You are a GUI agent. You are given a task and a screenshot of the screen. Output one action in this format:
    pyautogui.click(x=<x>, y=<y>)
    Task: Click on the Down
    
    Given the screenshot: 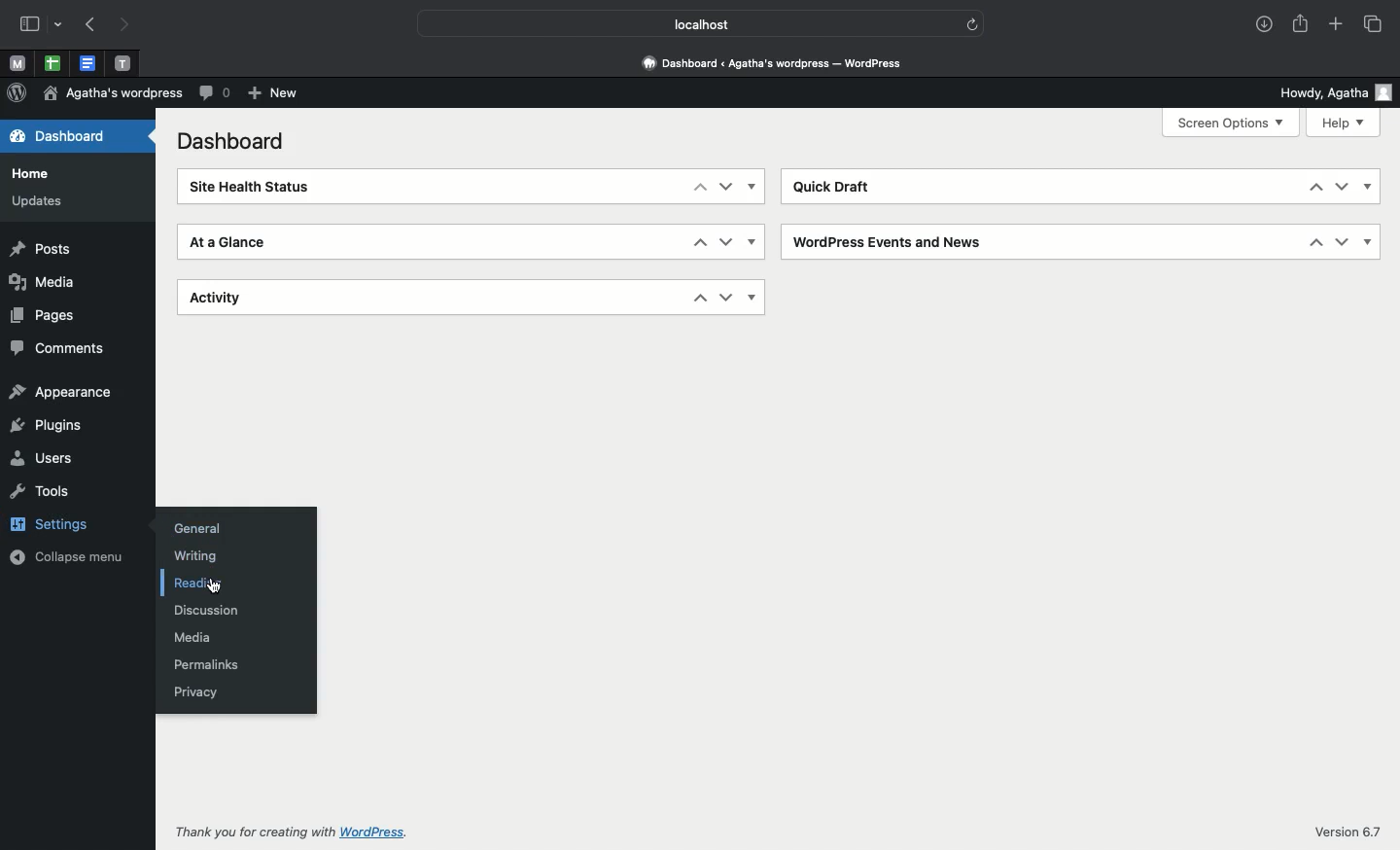 What is the action you would take?
    pyautogui.click(x=1342, y=242)
    